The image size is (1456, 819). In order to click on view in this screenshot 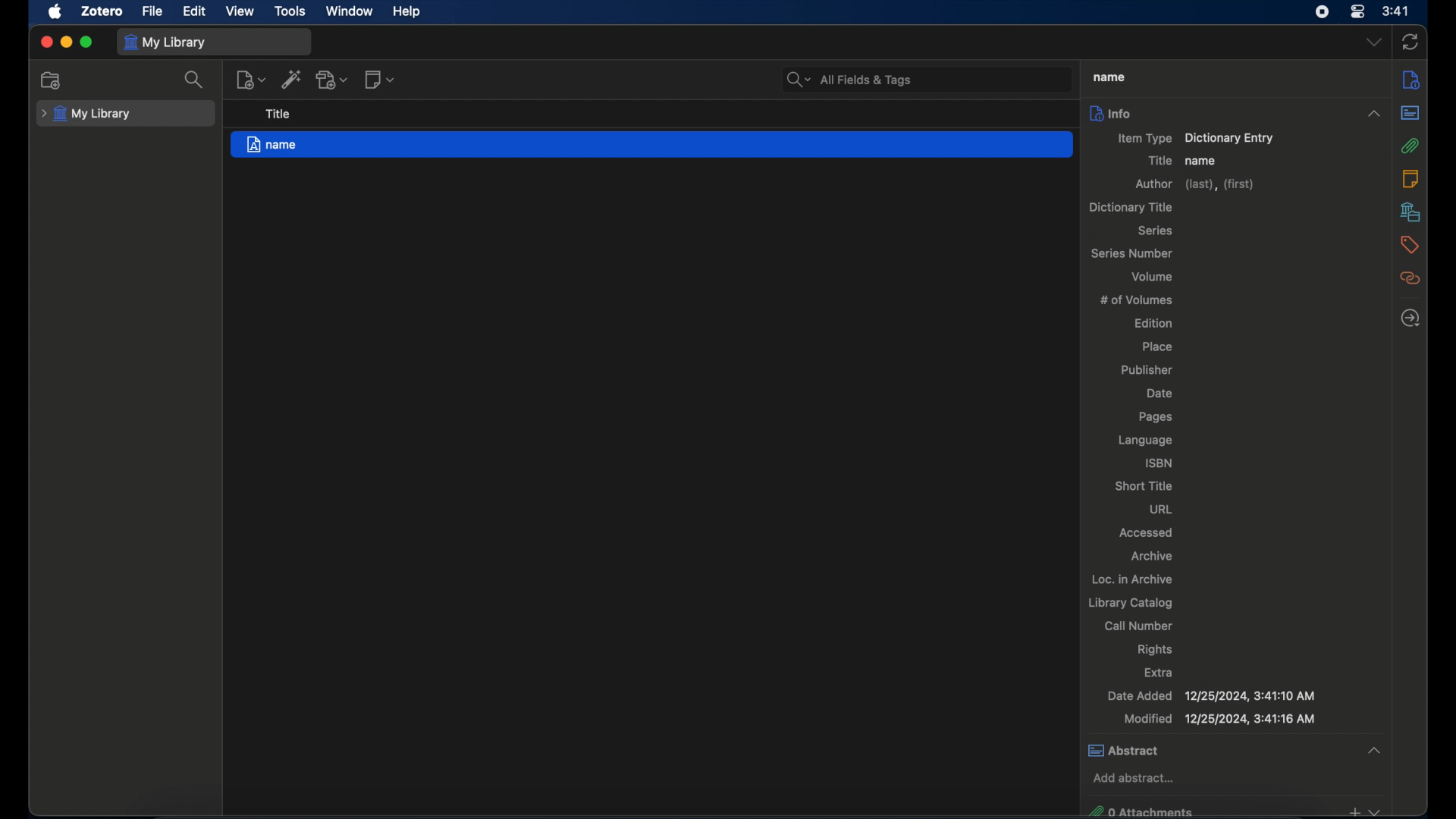, I will do `click(240, 11)`.